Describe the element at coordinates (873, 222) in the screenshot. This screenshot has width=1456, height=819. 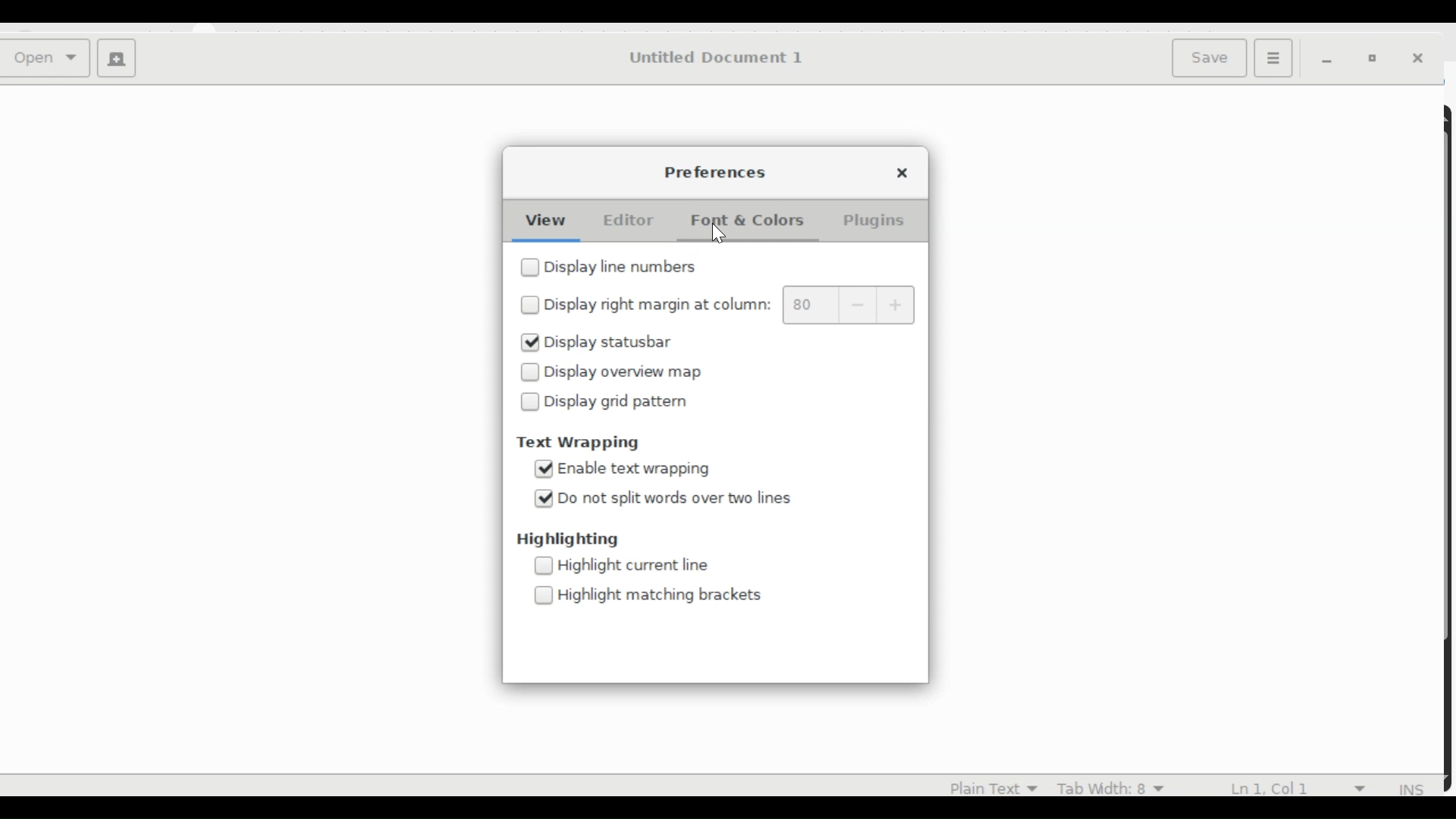
I see `Plugins` at that location.